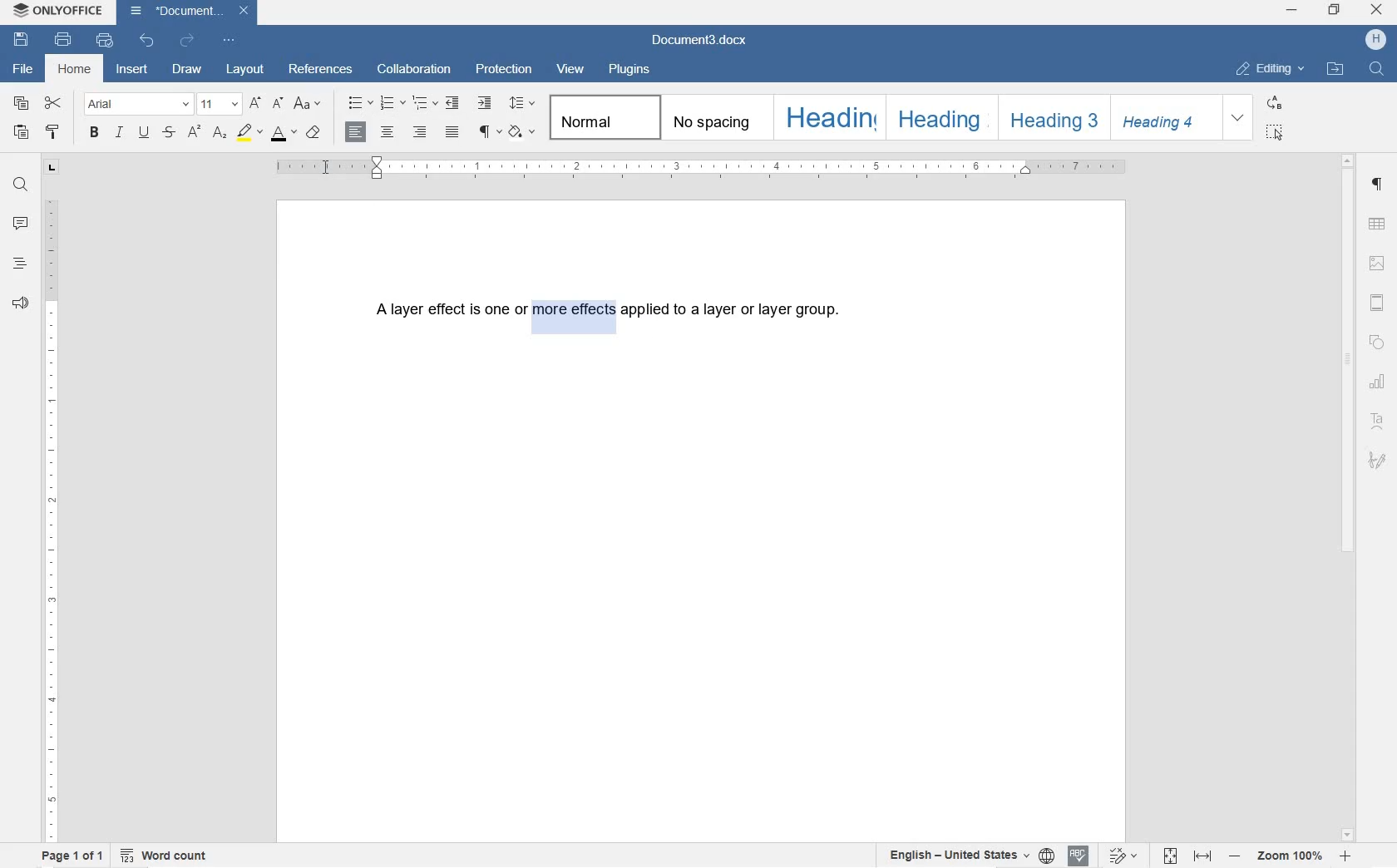 This screenshot has width=1397, height=868. What do you see at coordinates (95, 134) in the screenshot?
I see `BOLD` at bounding box center [95, 134].